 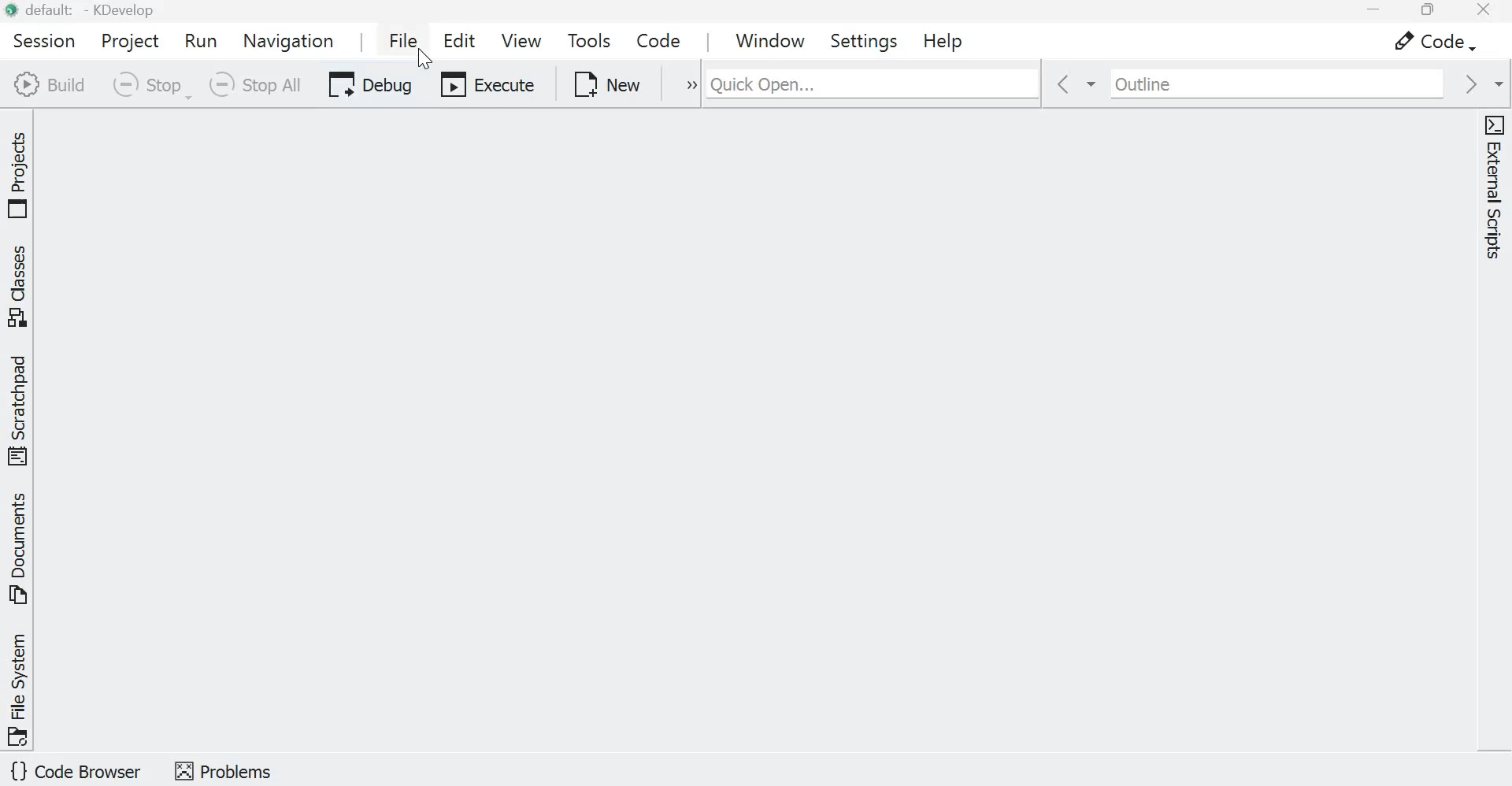 I want to click on close, so click(x=1485, y=13).